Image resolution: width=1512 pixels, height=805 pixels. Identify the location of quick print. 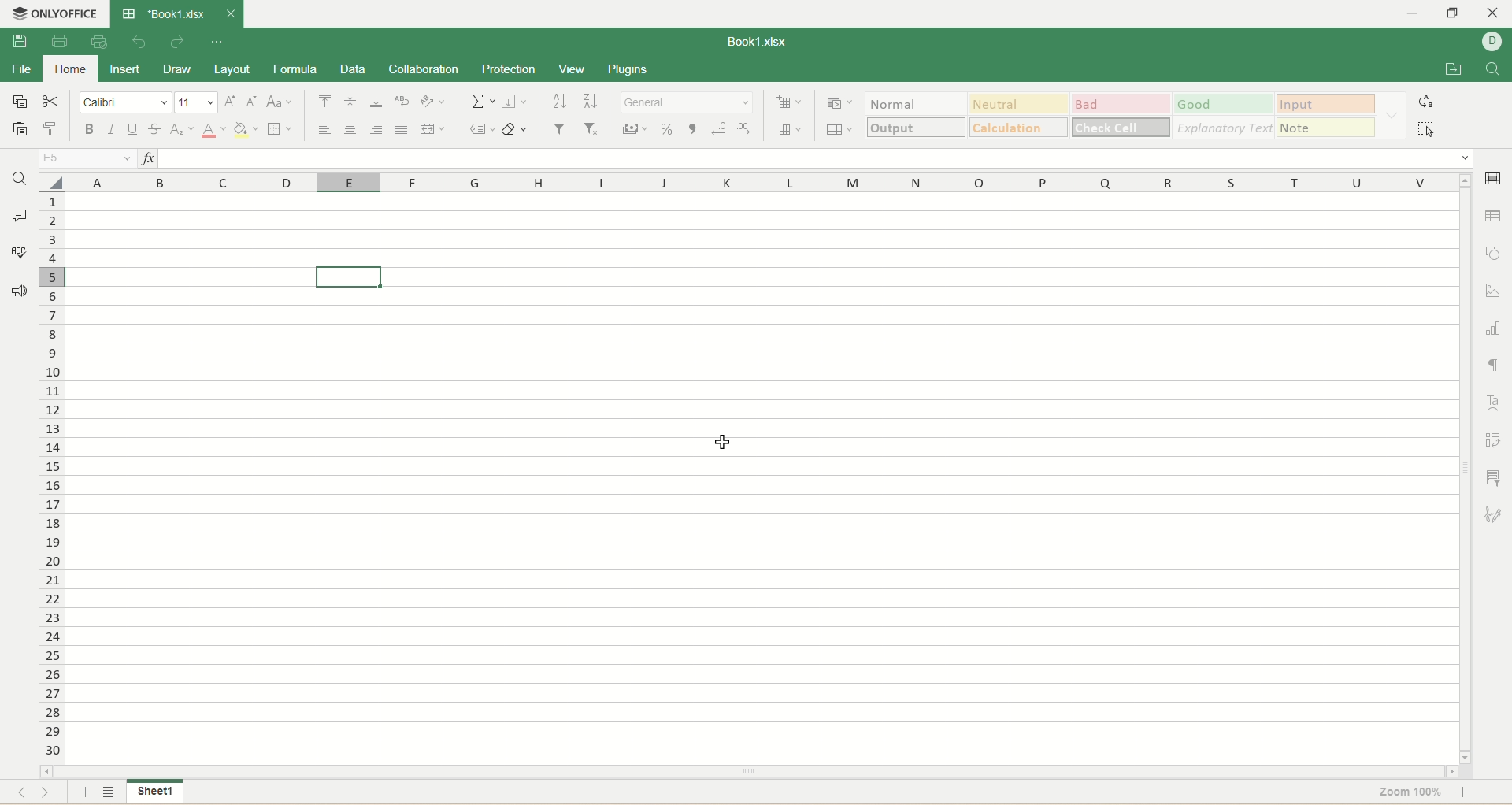
(102, 42).